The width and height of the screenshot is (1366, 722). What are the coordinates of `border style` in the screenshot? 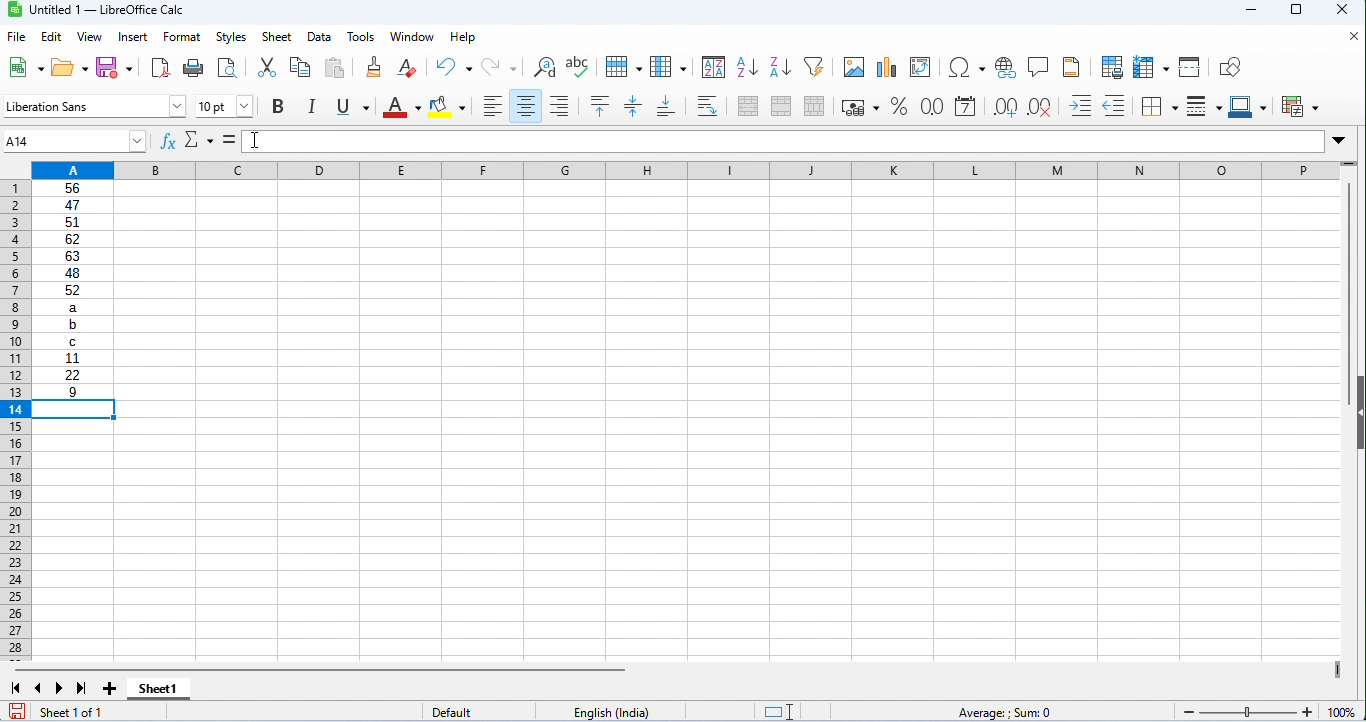 It's located at (1204, 106).